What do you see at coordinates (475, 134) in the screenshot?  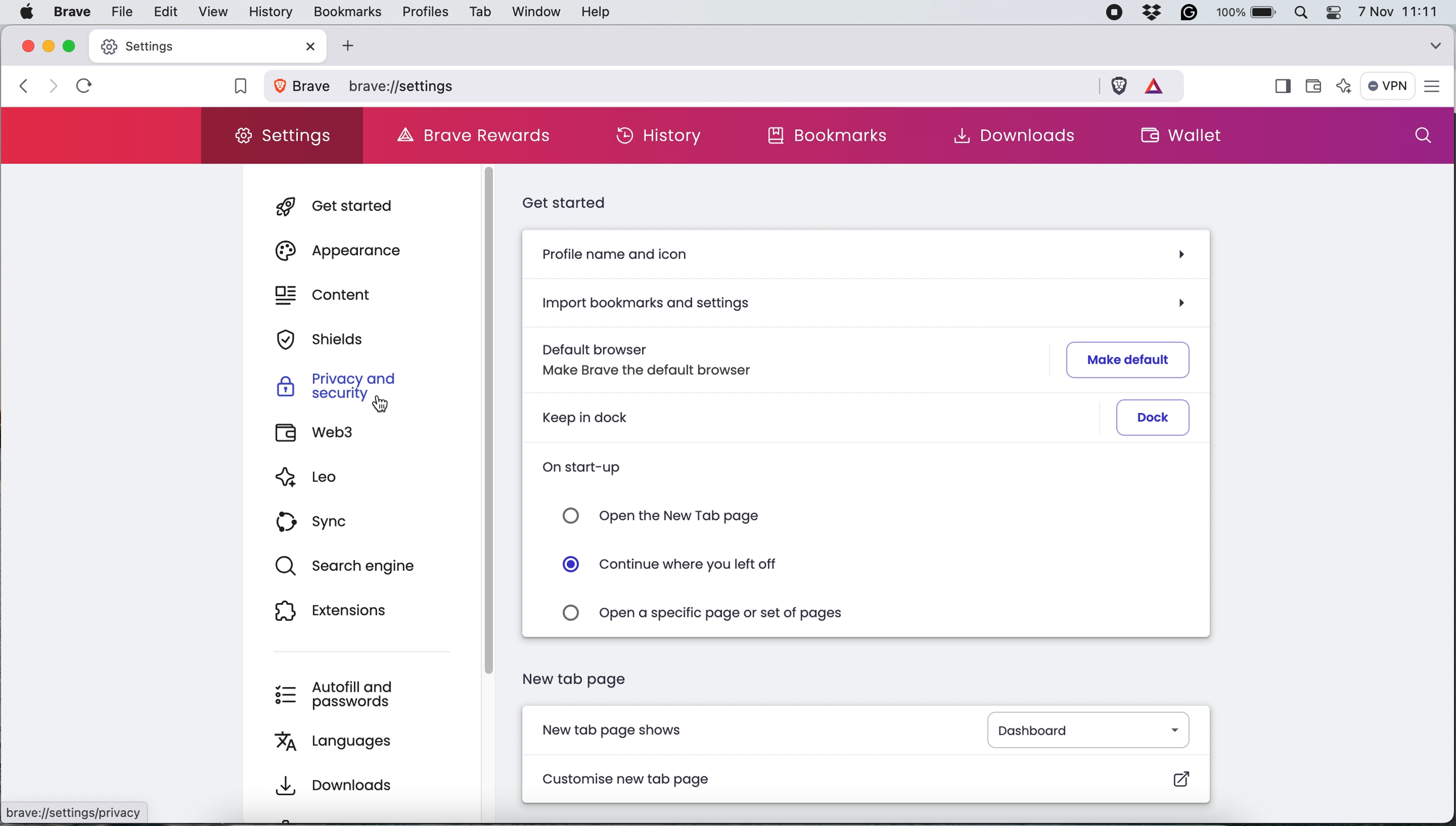 I see `brave rewards` at bounding box center [475, 134].